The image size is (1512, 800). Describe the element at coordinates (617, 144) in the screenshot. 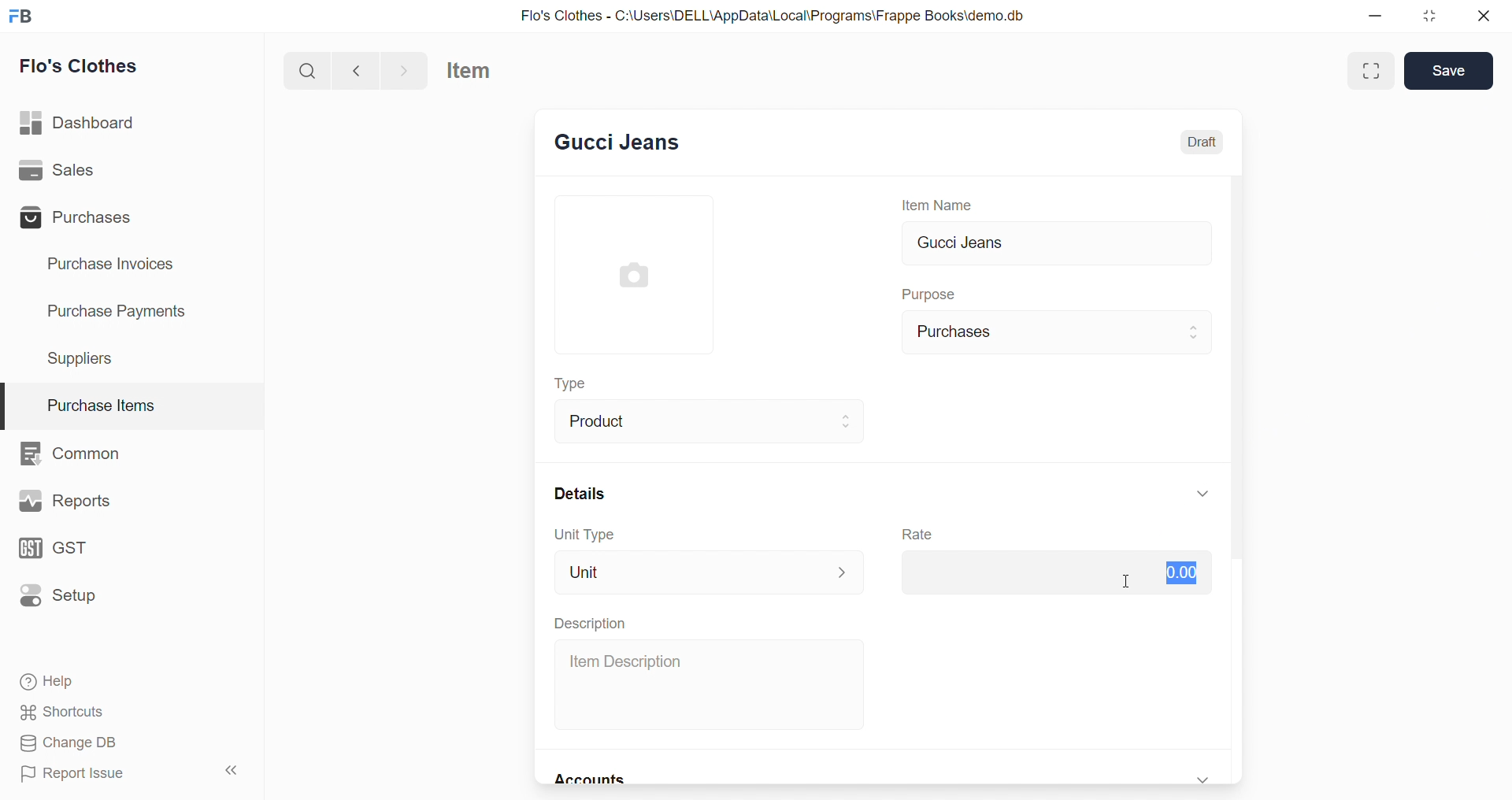

I see `New Entry` at that location.